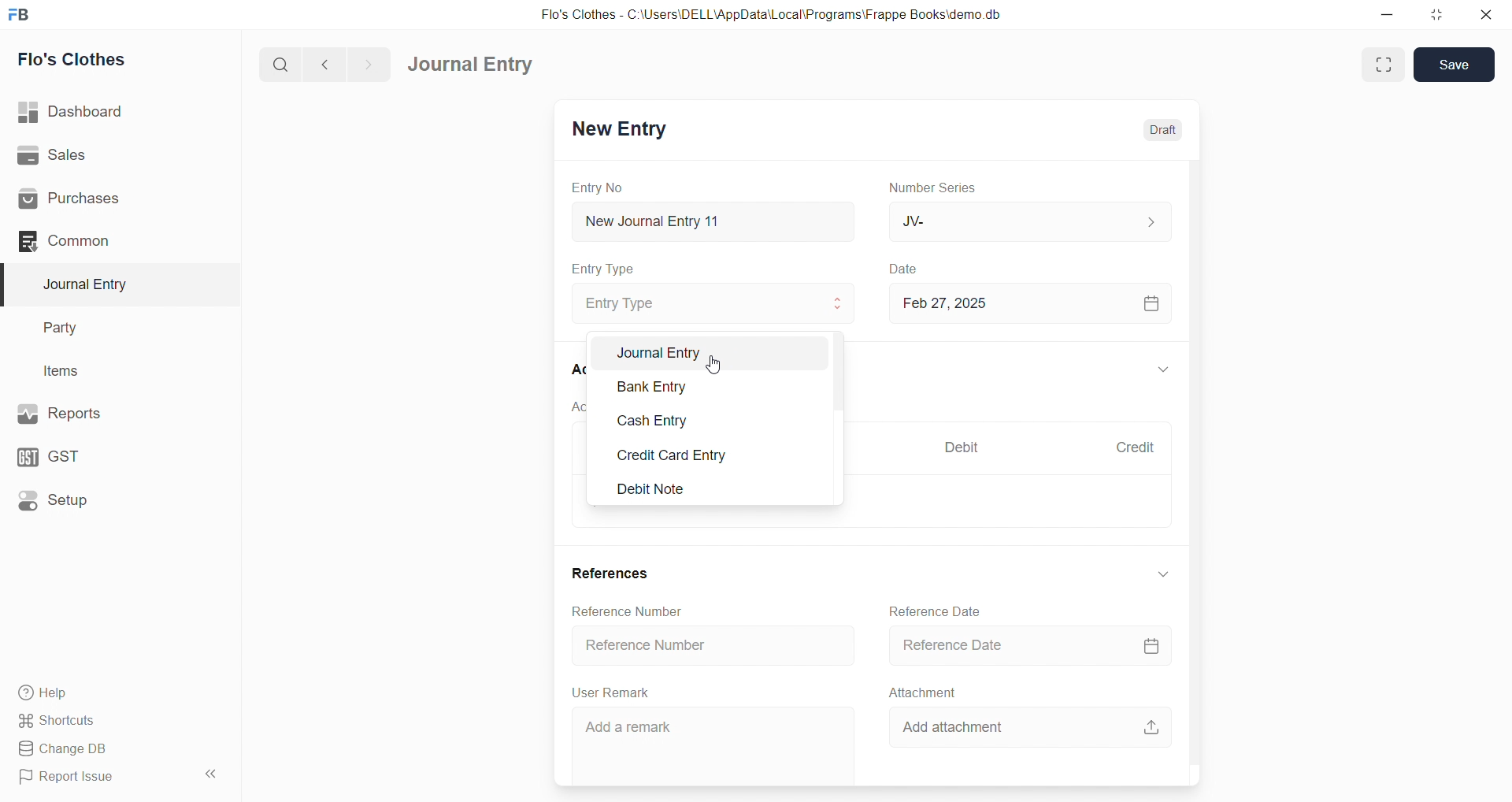  I want to click on Reference Date, so click(1022, 648).